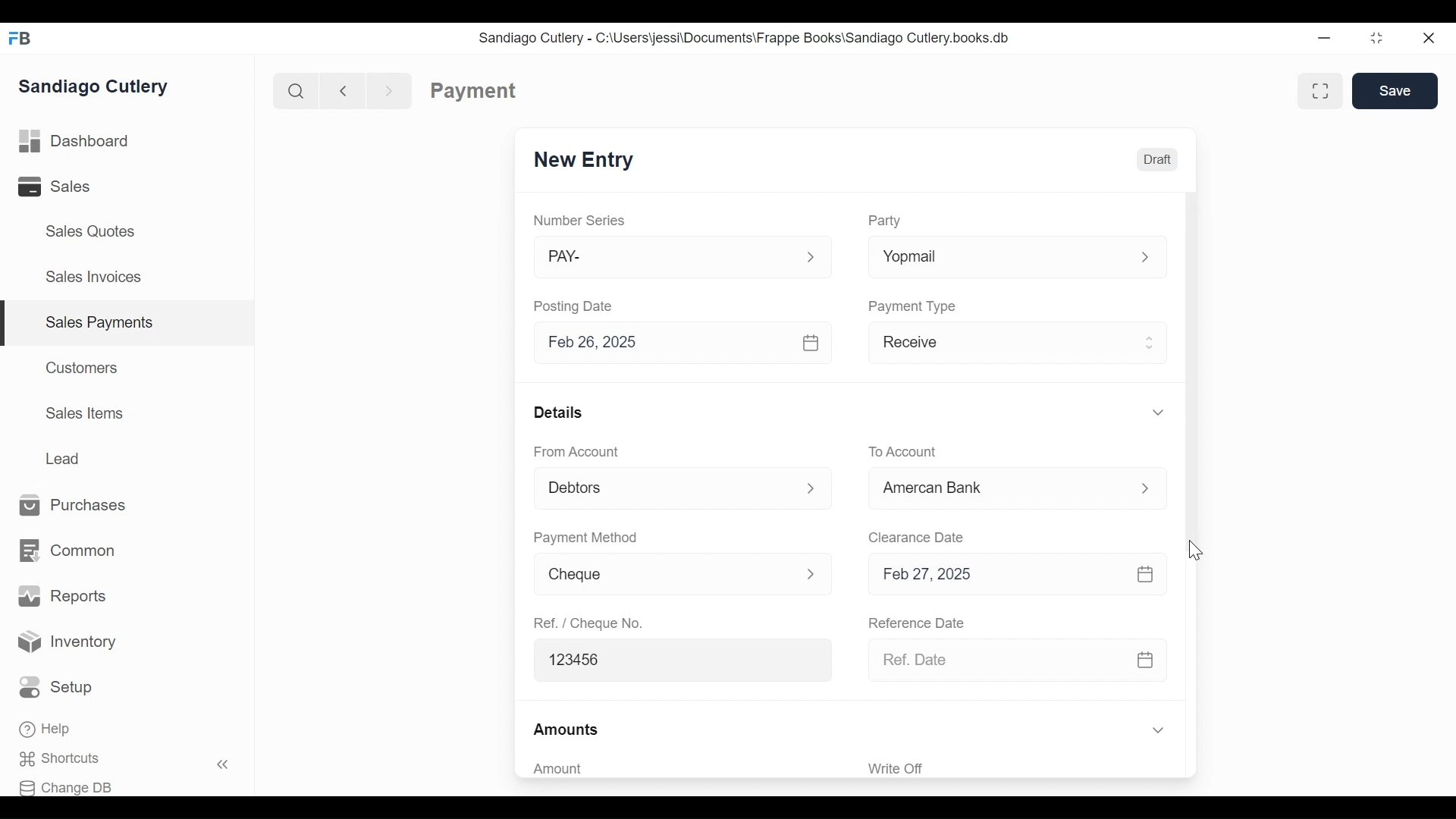 The height and width of the screenshot is (819, 1456). Describe the element at coordinates (1157, 731) in the screenshot. I see `Expand` at that location.